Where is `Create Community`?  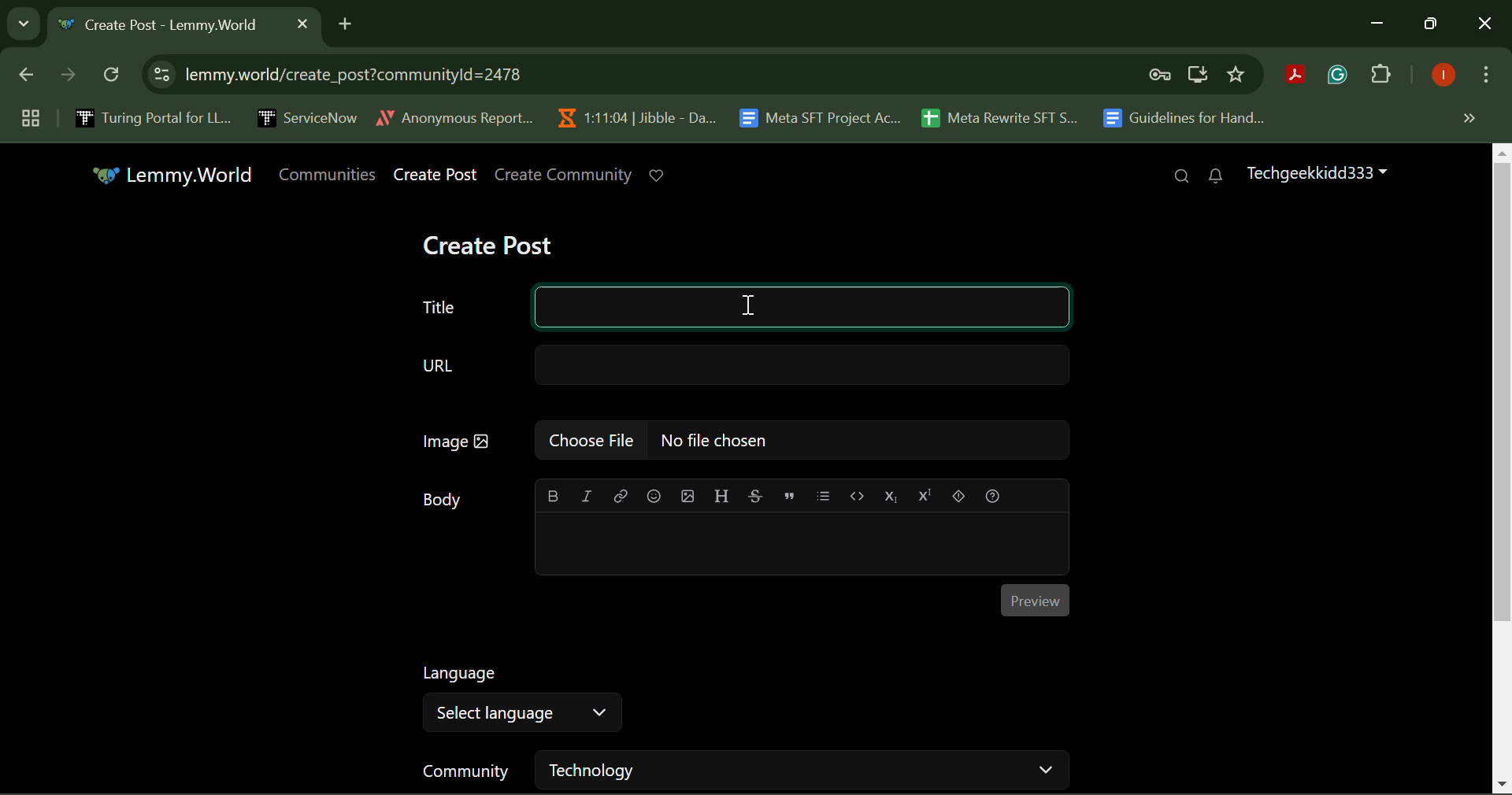
Create Community is located at coordinates (564, 176).